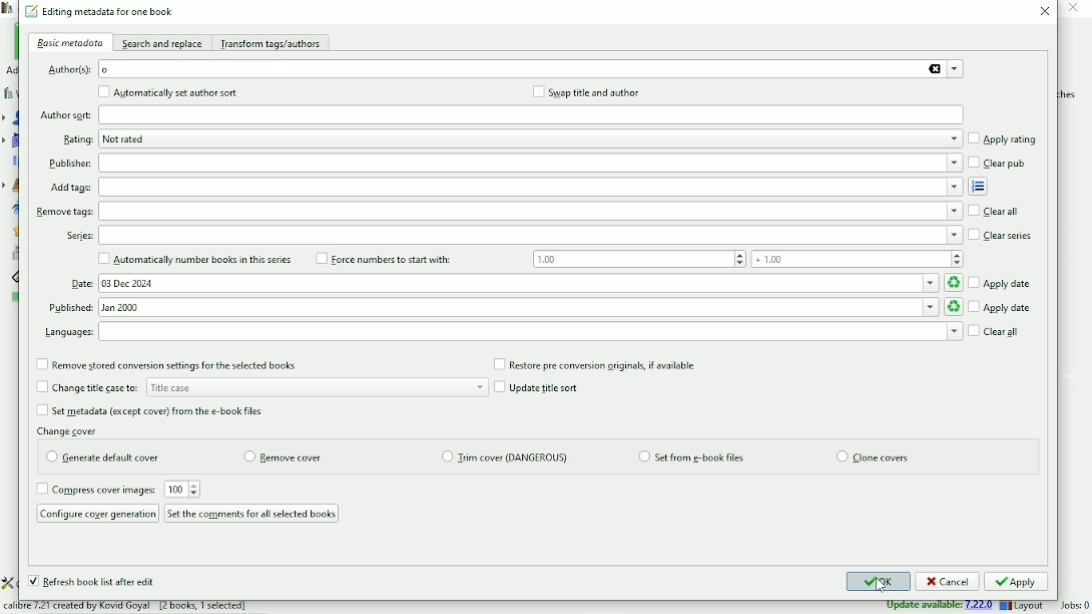  I want to click on select Languages, so click(529, 331).